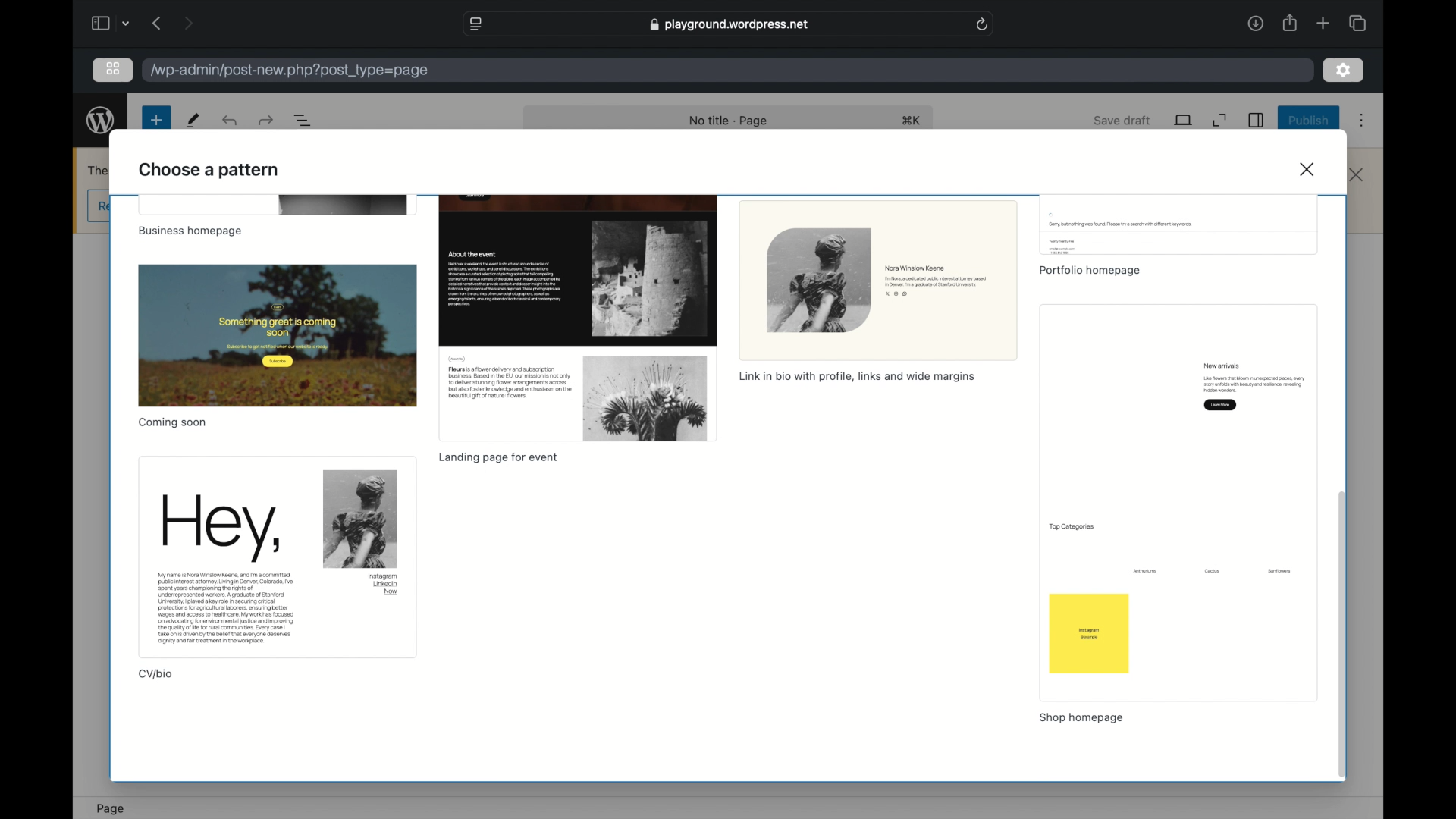 The width and height of the screenshot is (1456, 819). I want to click on obscure button, so click(96, 206).